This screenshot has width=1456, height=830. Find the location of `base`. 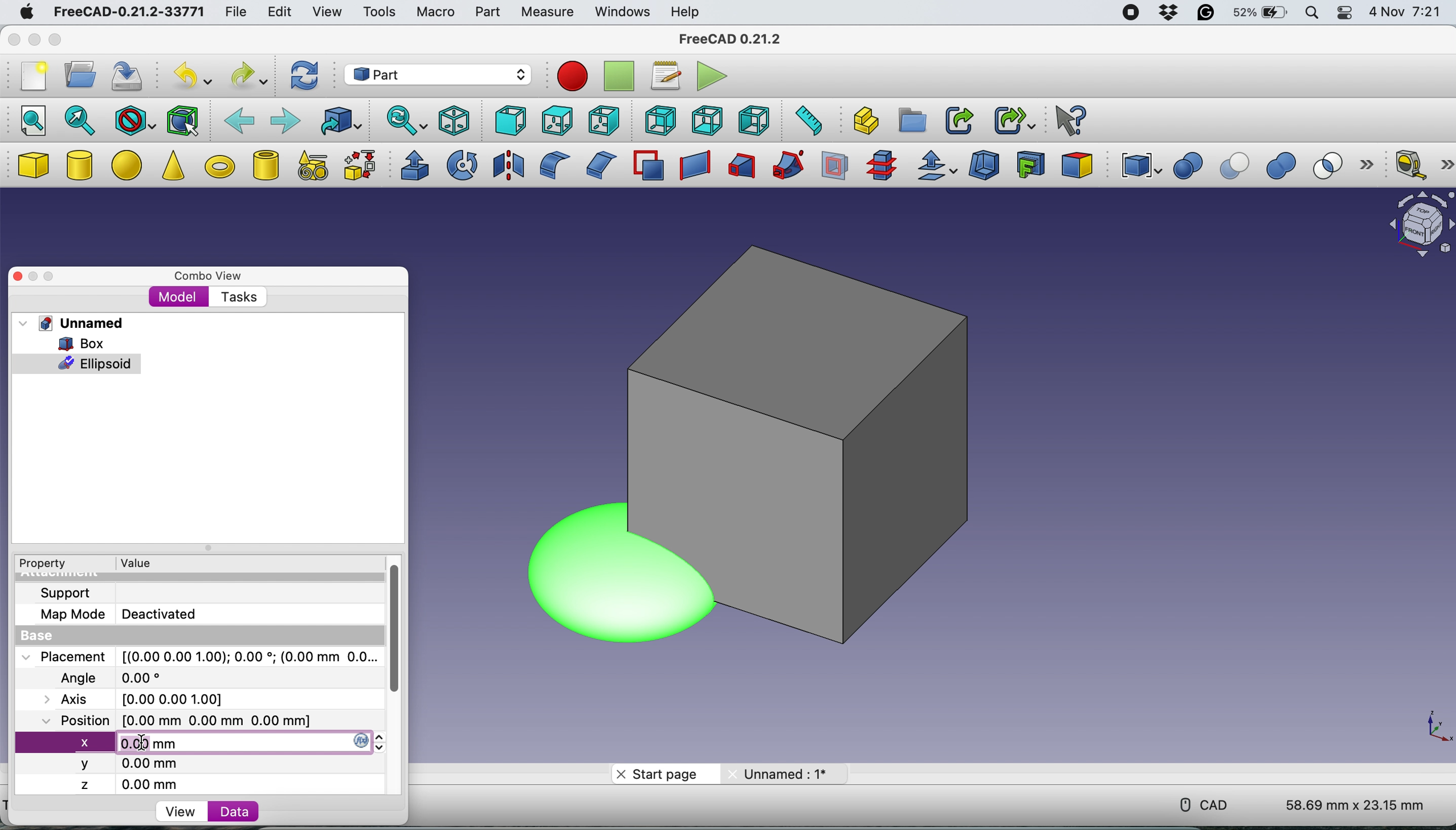

base is located at coordinates (32, 636).